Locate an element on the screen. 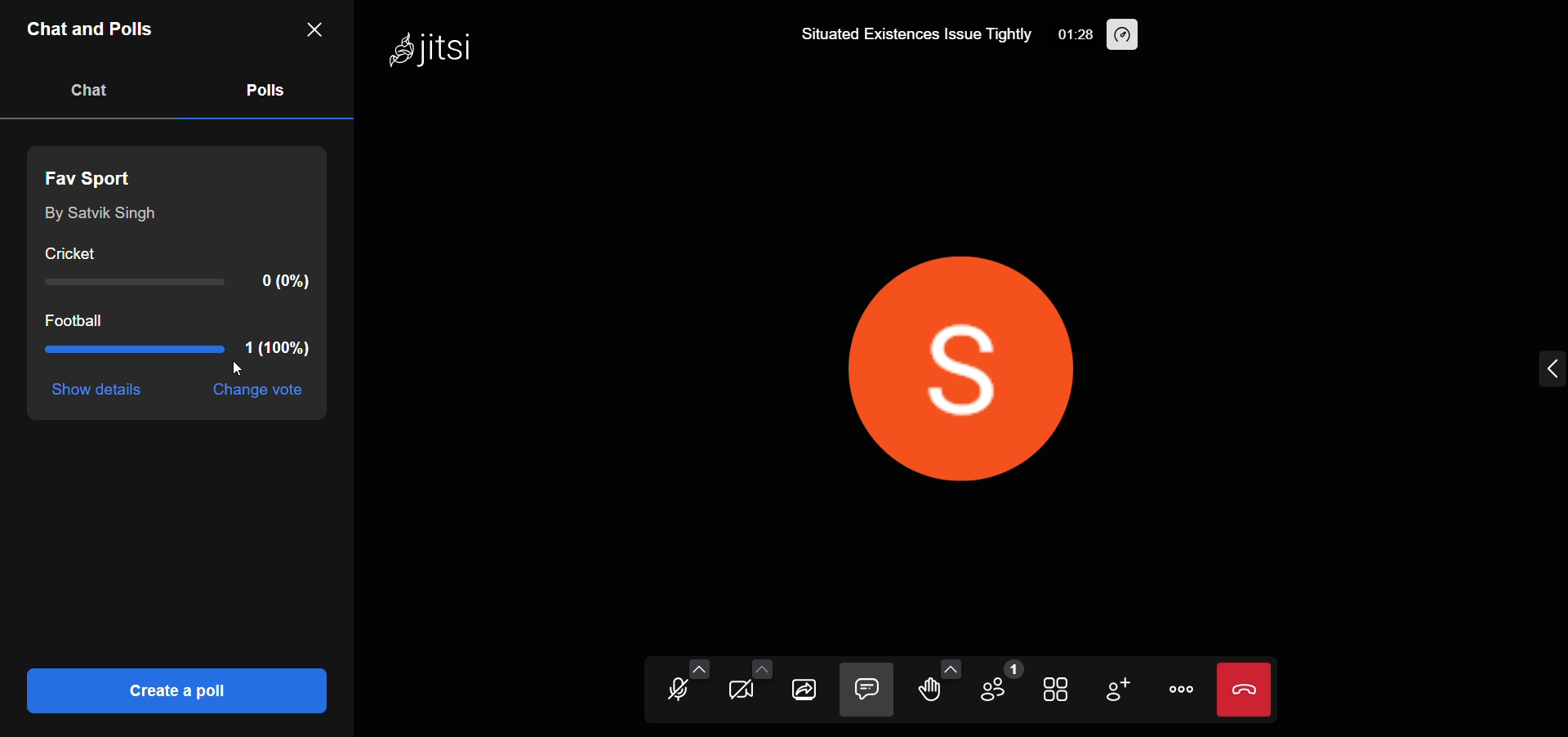 The height and width of the screenshot is (737, 1568). show details is located at coordinates (99, 391).